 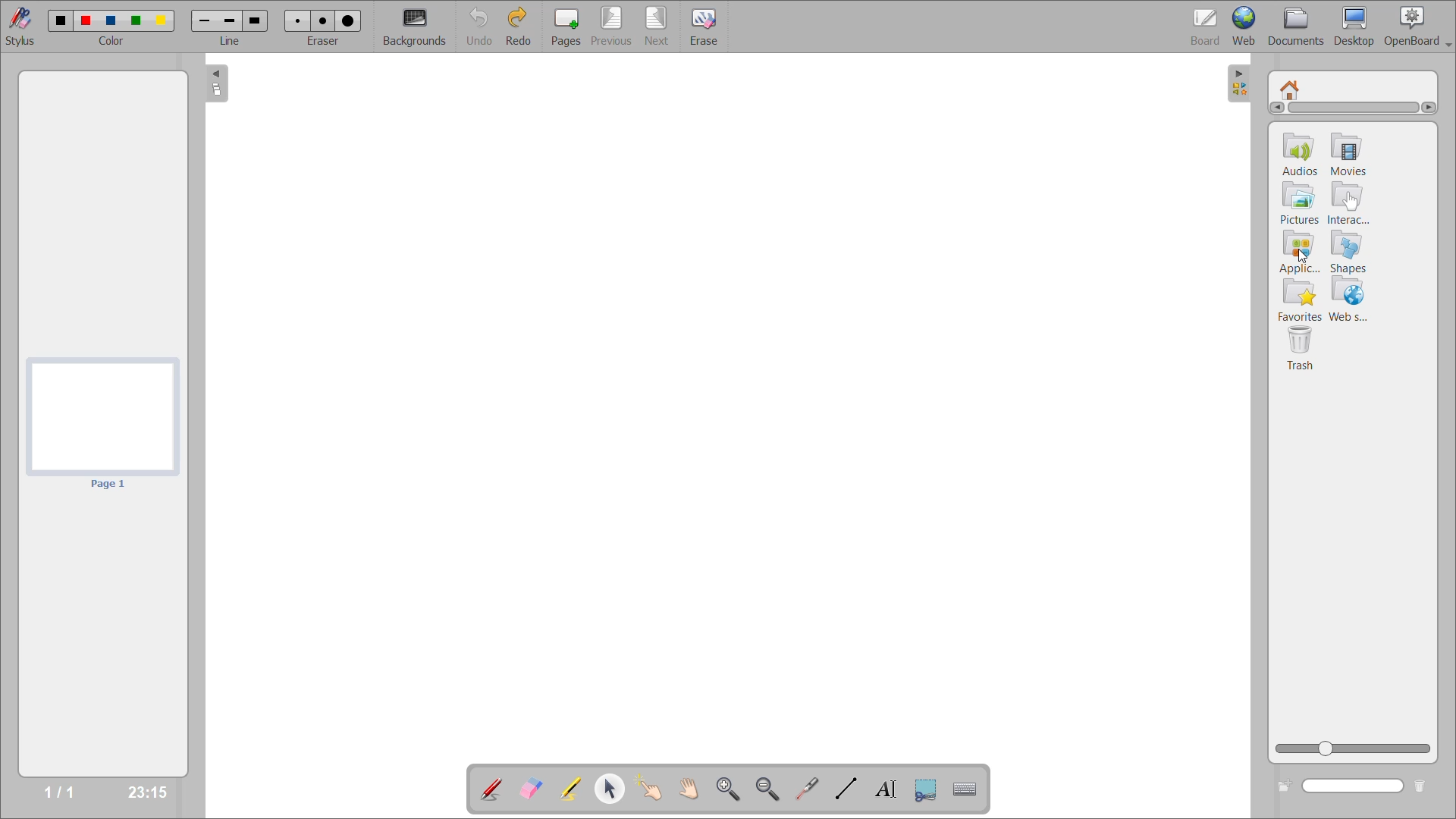 I want to click on applications, so click(x=1300, y=253).